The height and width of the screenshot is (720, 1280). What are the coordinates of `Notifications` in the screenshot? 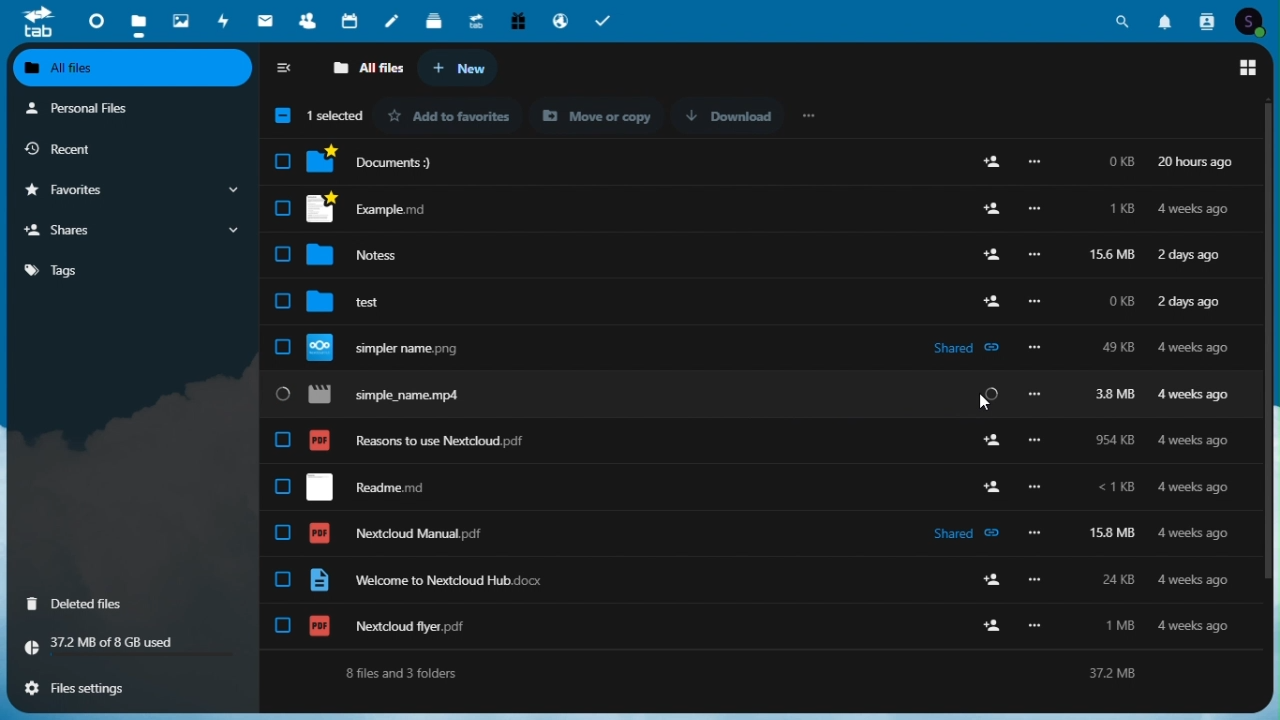 It's located at (1167, 19).